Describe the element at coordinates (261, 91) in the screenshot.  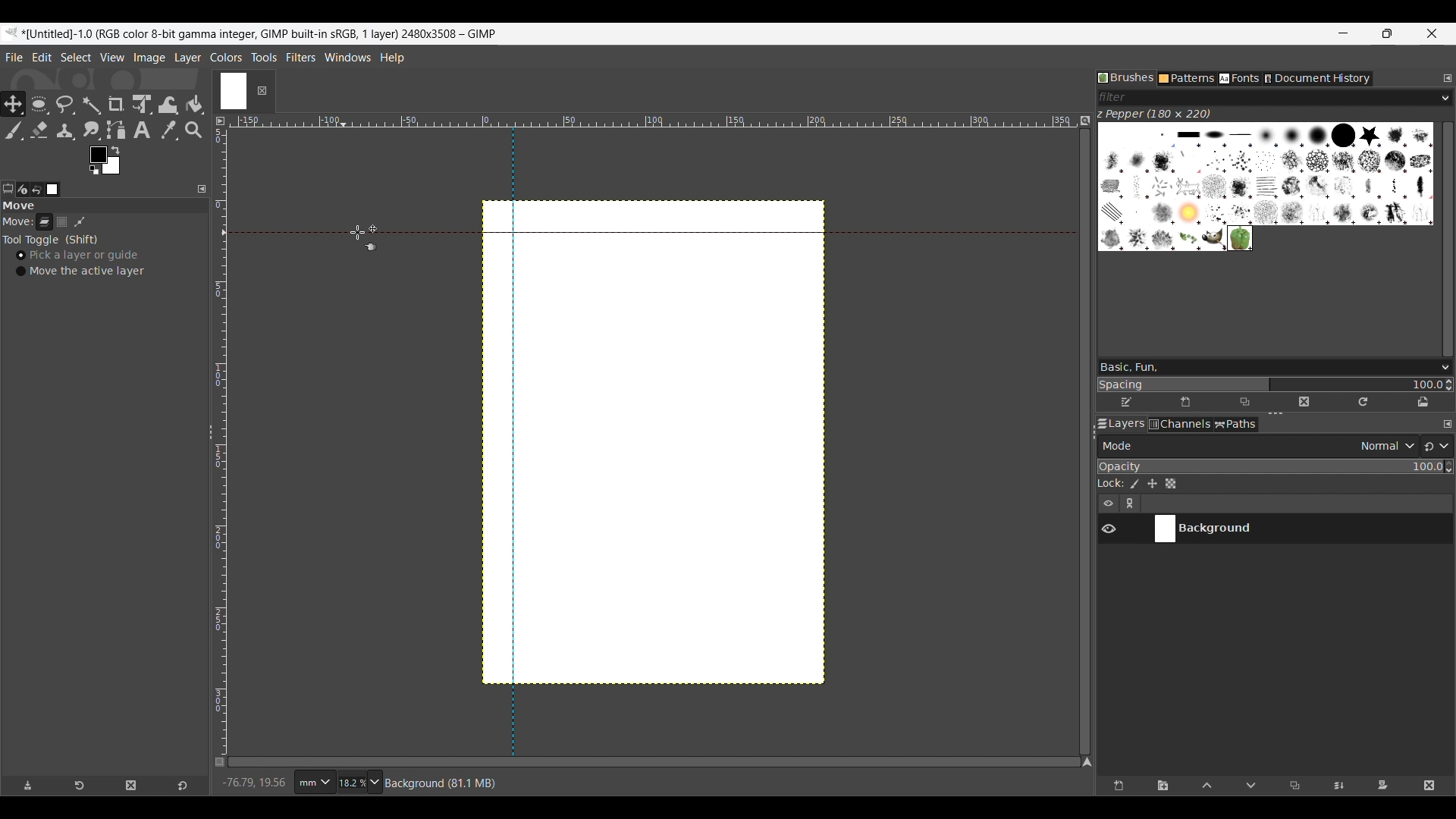
I see `Close tab` at that location.